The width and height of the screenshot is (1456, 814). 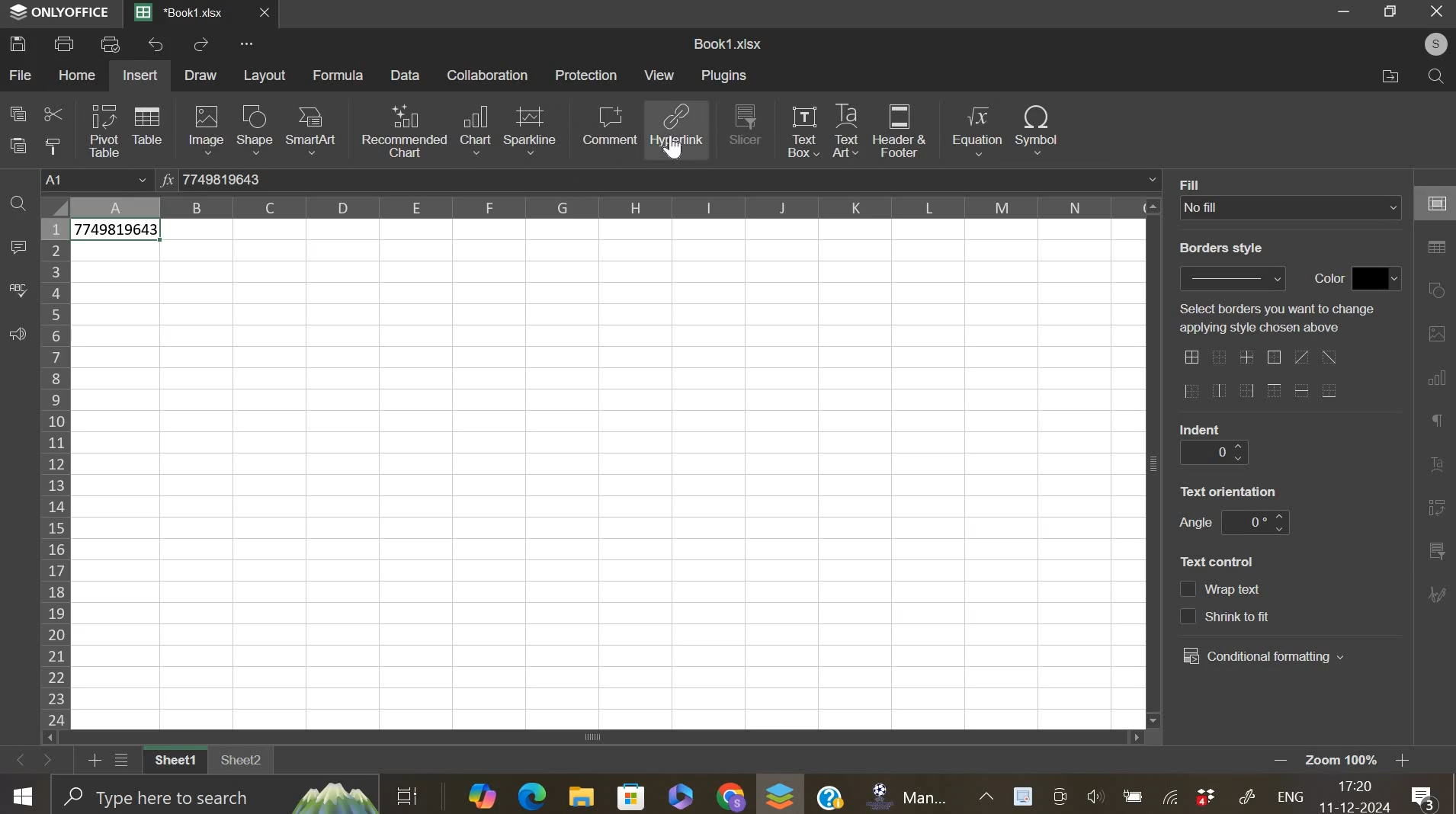 What do you see at coordinates (609, 207) in the screenshot?
I see `column` at bounding box center [609, 207].